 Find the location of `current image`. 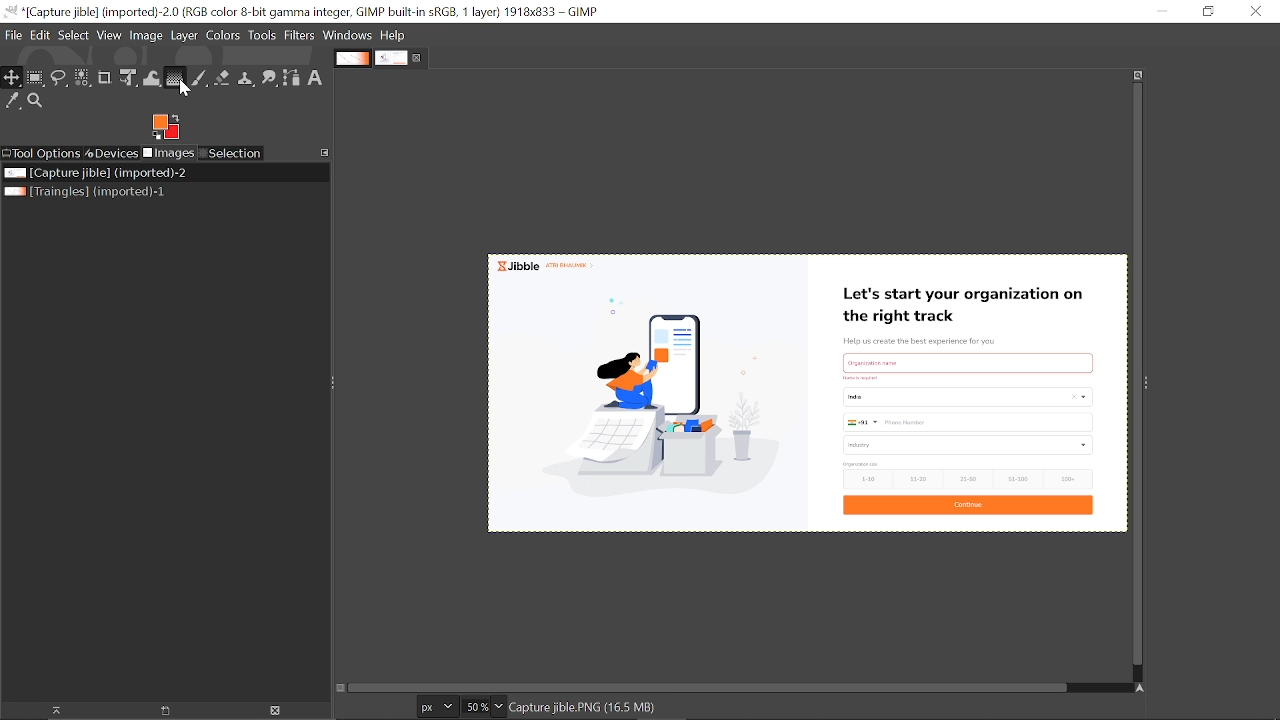

current image is located at coordinates (803, 394).